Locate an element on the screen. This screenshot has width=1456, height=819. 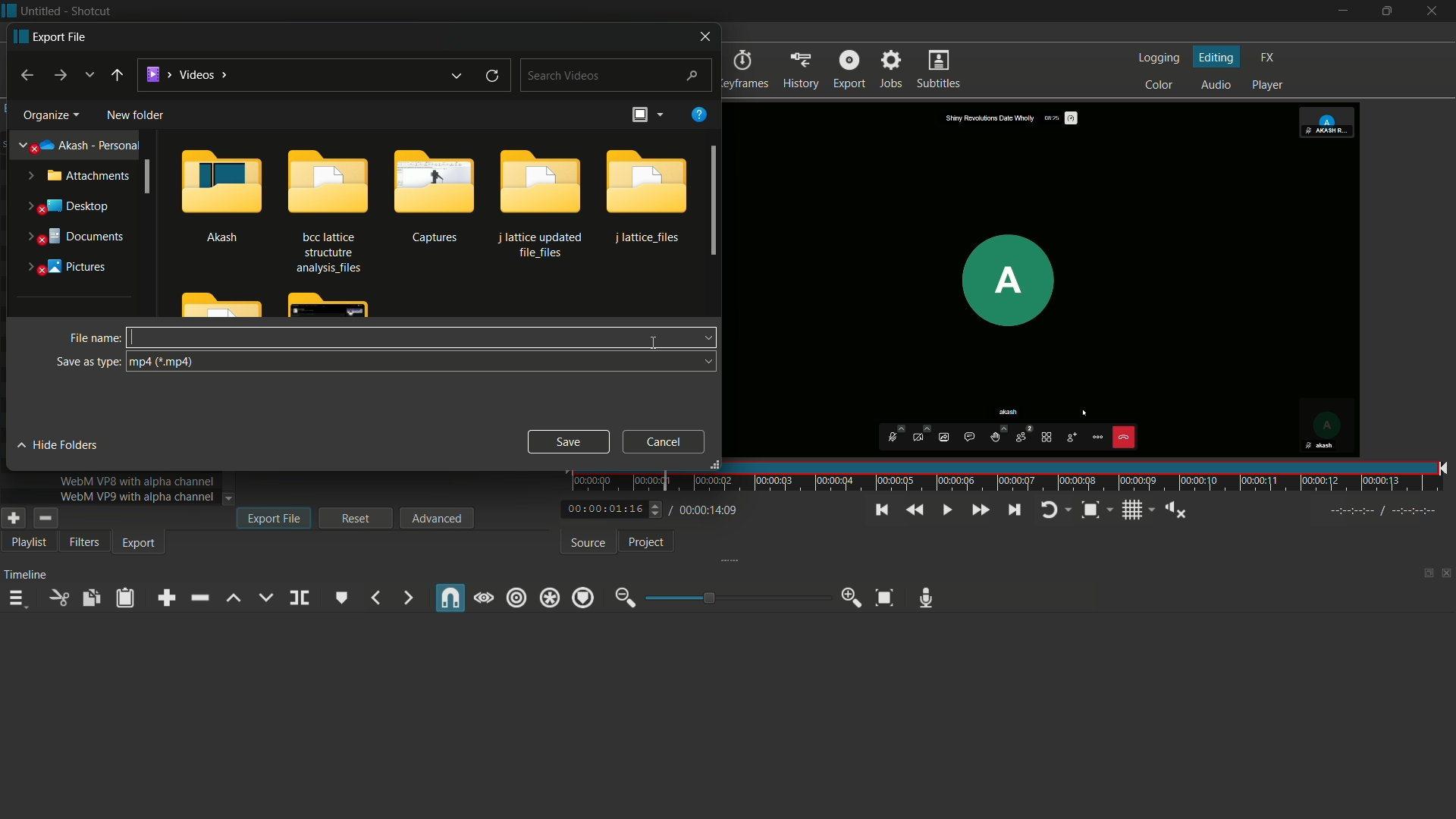
jobs is located at coordinates (893, 69).